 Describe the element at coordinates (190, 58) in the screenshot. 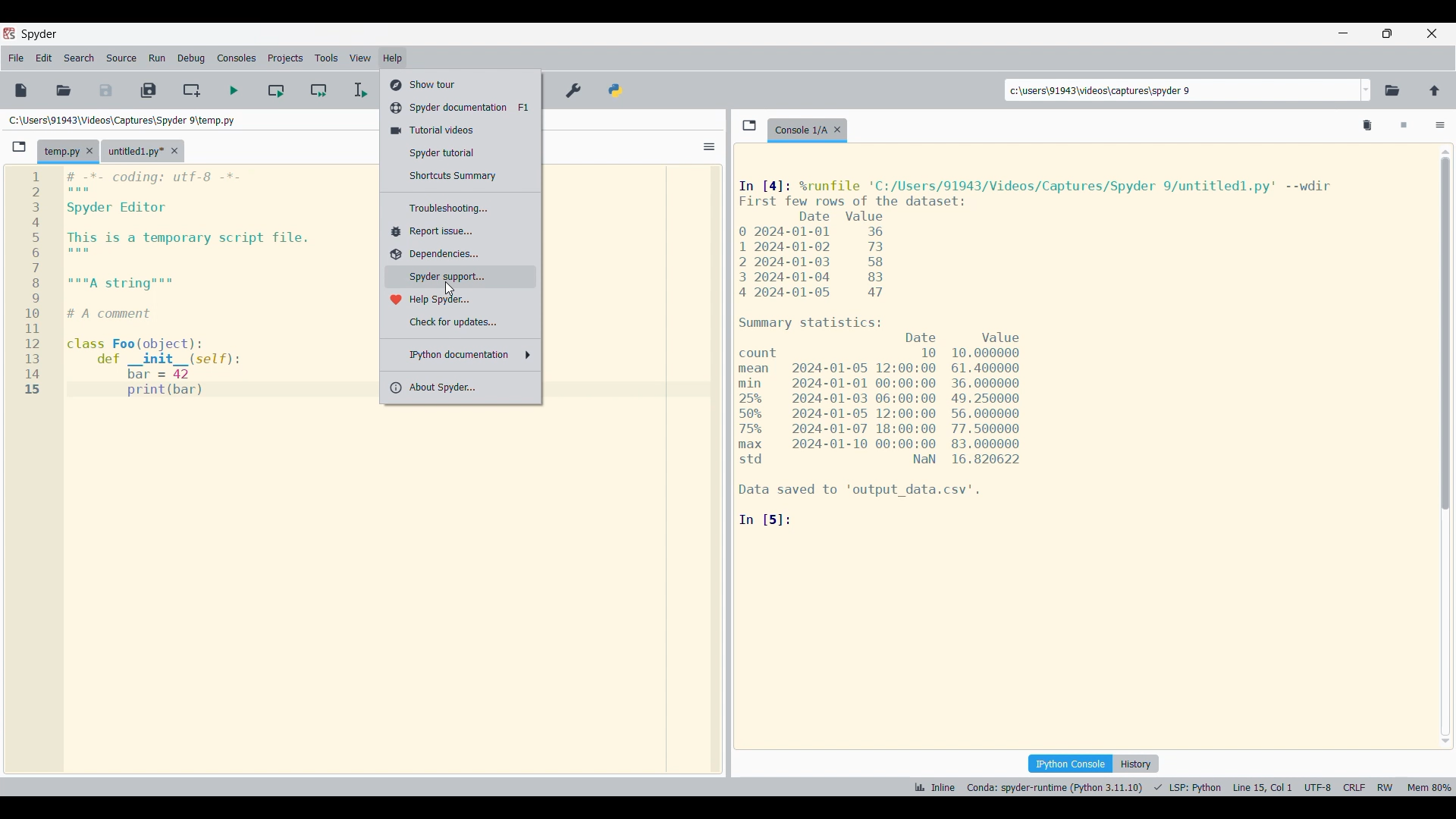

I see `Debug menu` at that location.